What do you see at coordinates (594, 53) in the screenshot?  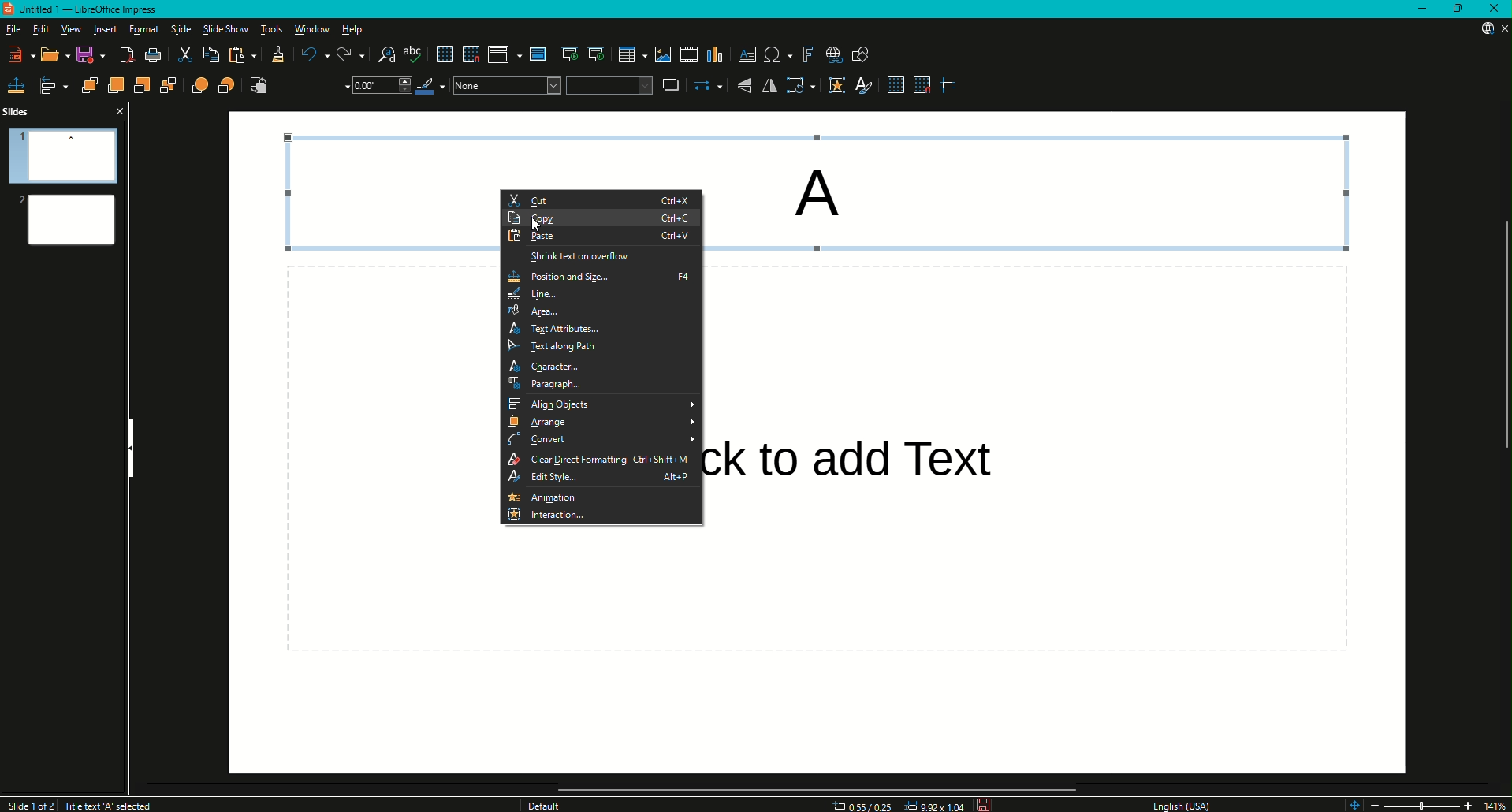 I see `Start from Current Slide` at bounding box center [594, 53].